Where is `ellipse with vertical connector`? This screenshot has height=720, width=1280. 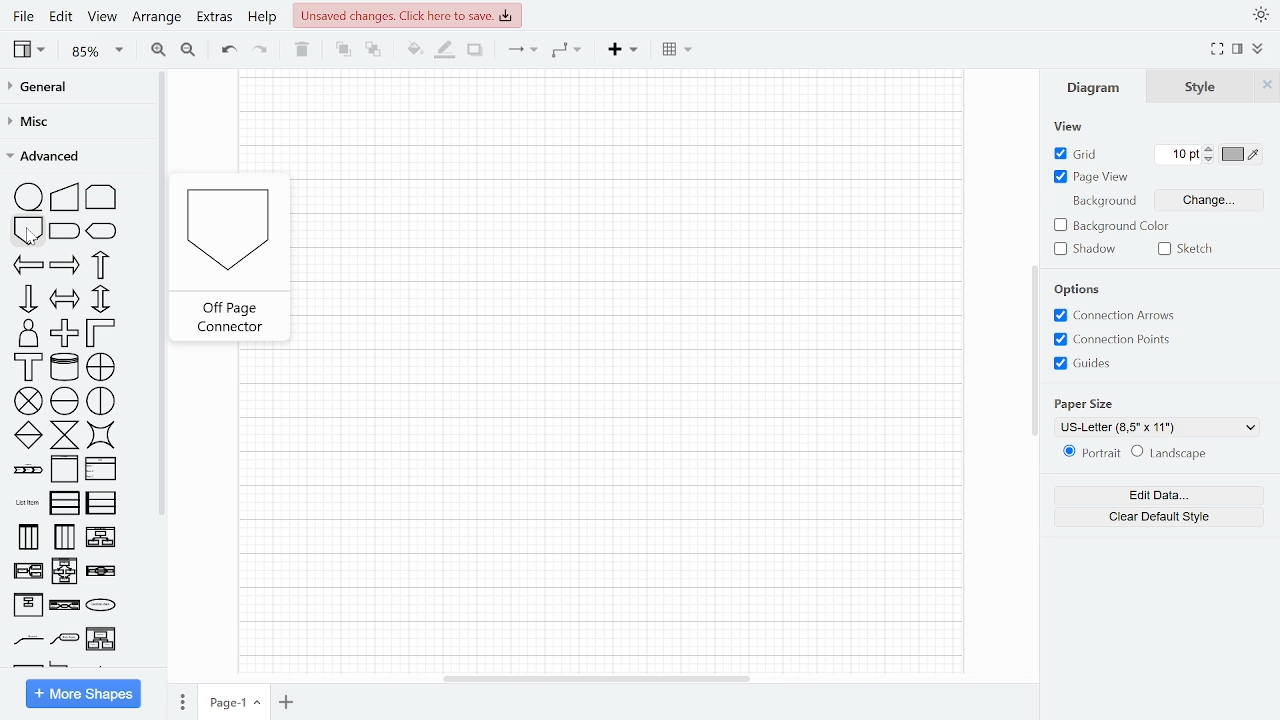 ellipse with vertical connector is located at coordinates (102, 401).